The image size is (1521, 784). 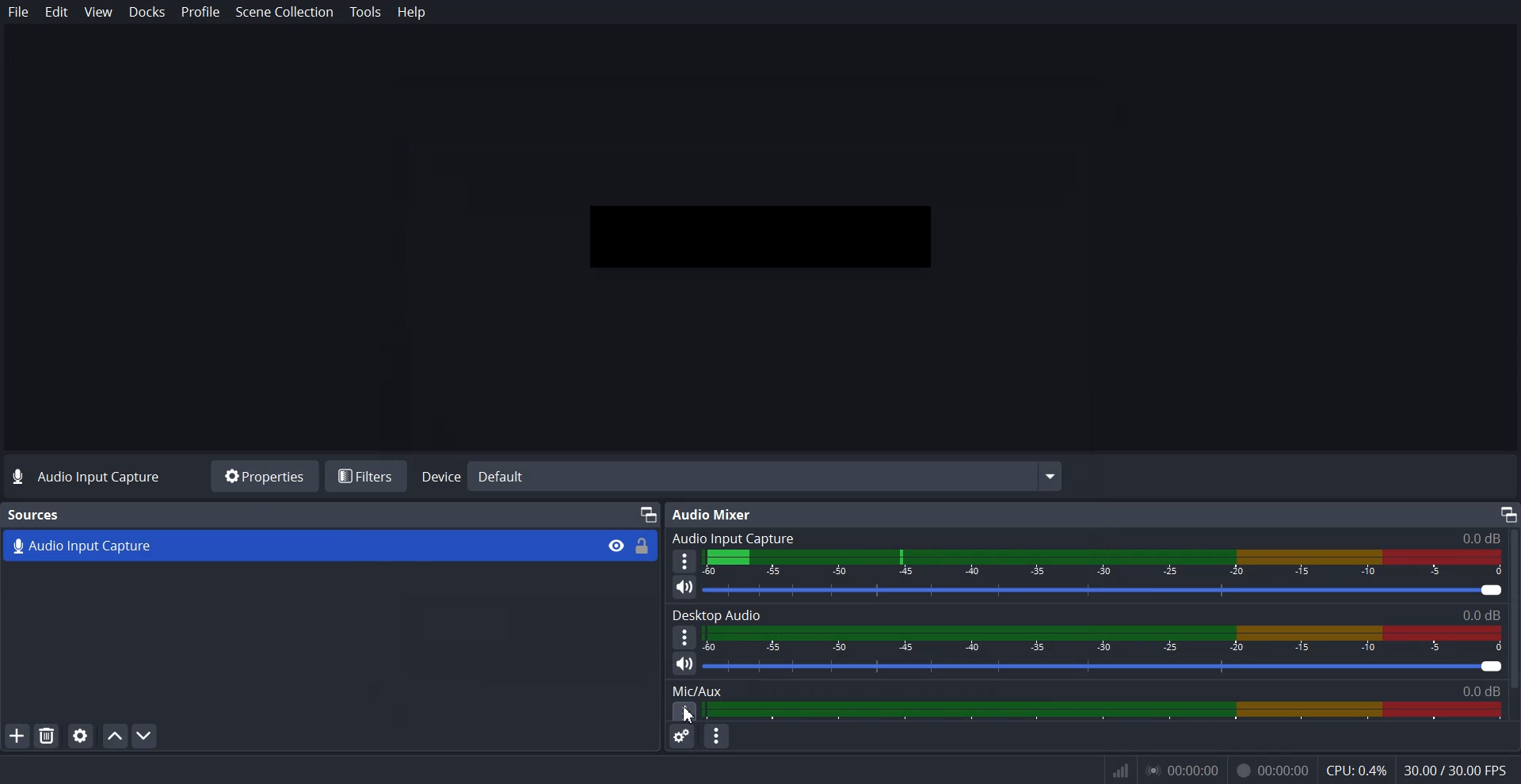 I want to click on Scene Collection, so click(x=285, y=13).